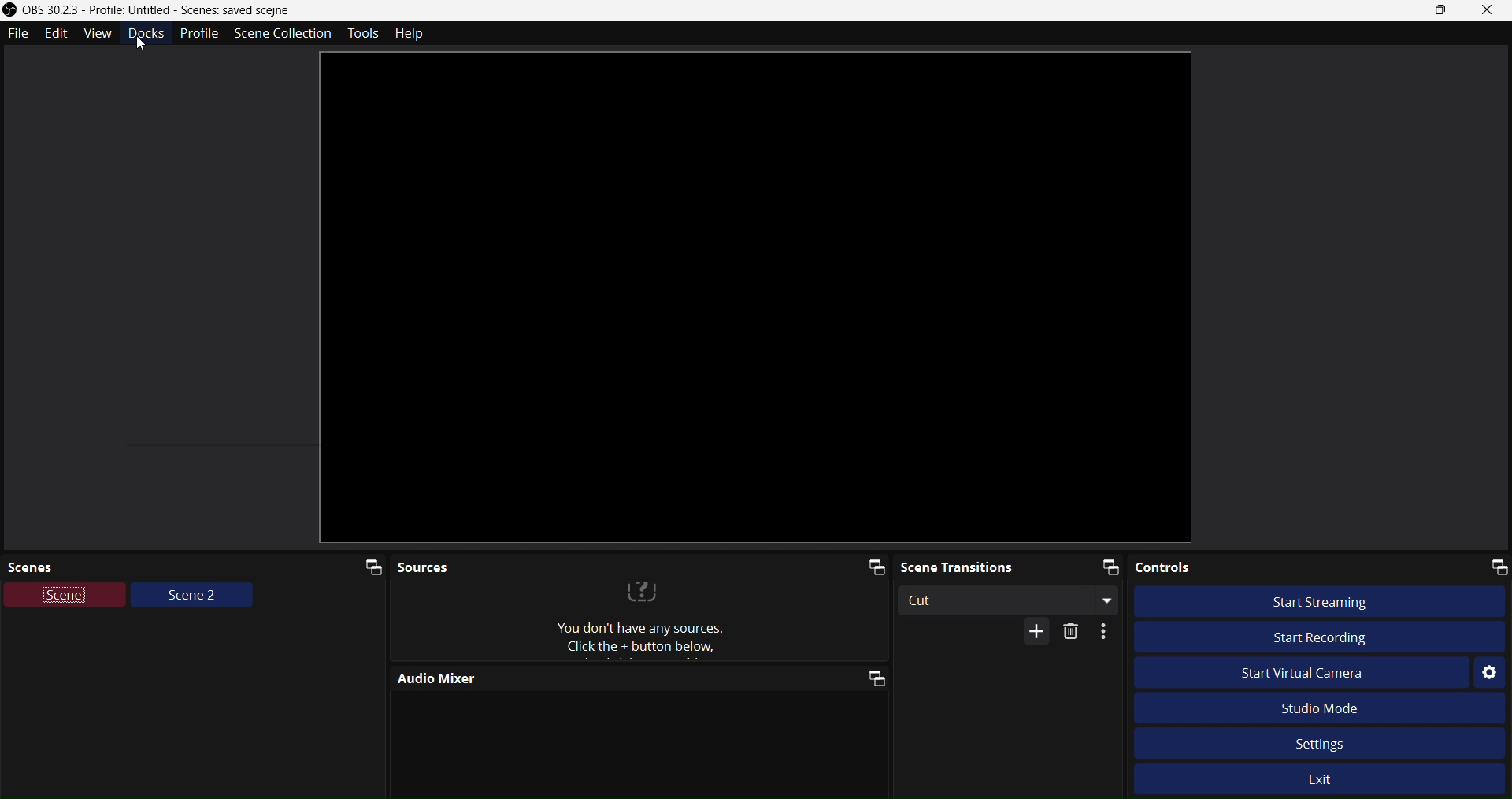 This screenshot has width=1512, height=799. Describe the element at coordinates (869, 568) in the screenshot. I see `dock panel` at that location.